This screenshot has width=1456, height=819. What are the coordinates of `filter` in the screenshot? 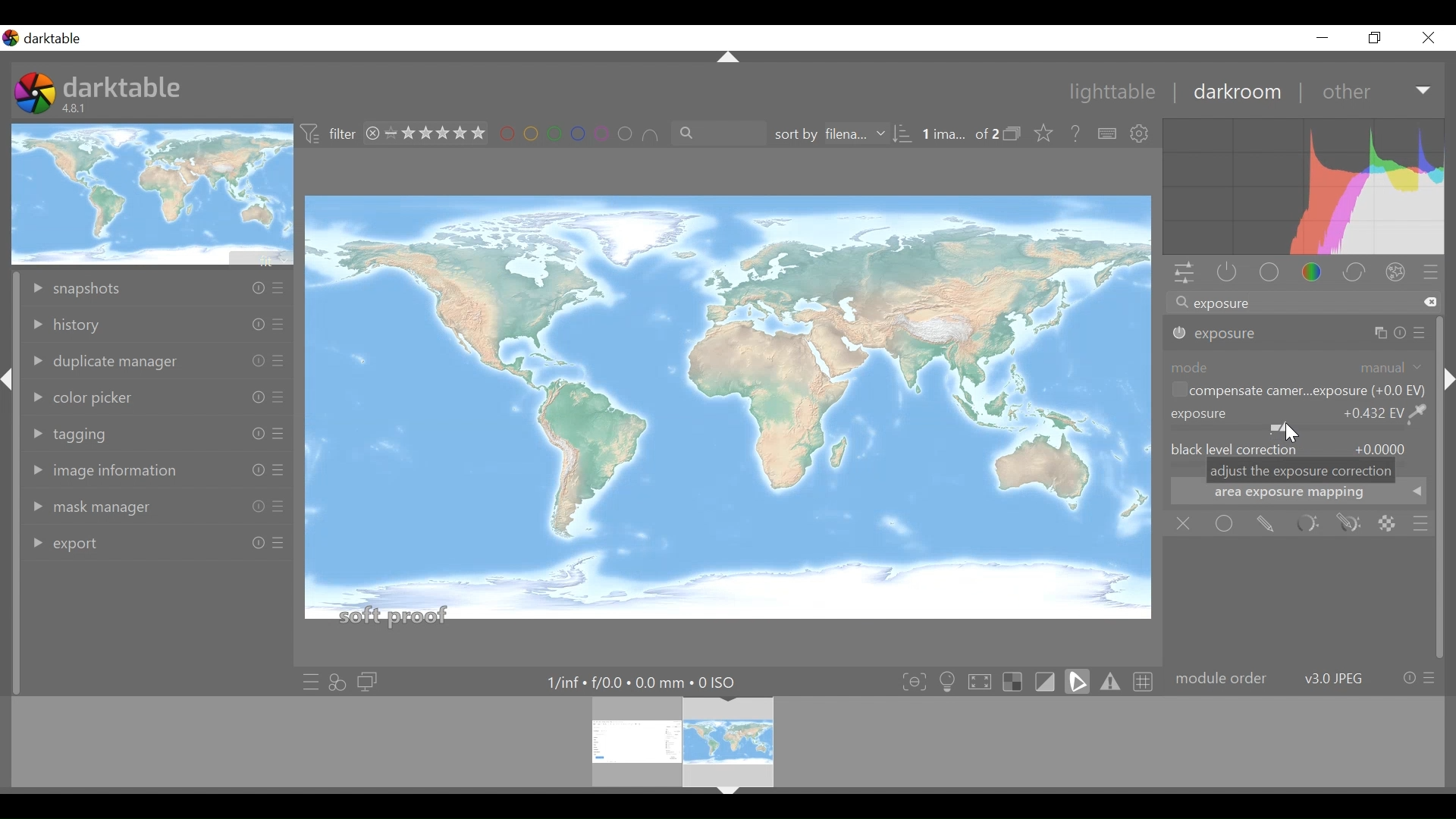 It's located at (329, 134).